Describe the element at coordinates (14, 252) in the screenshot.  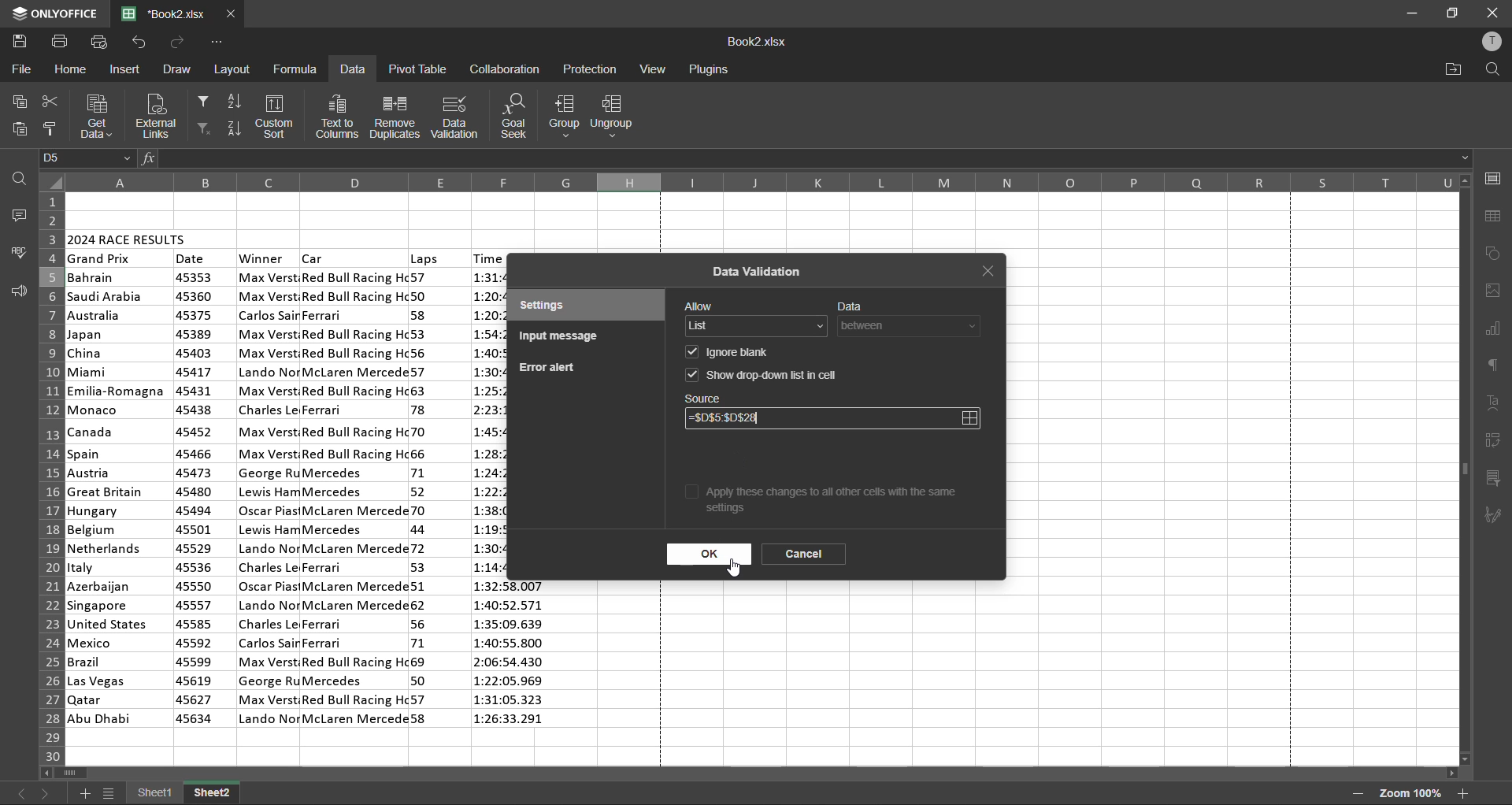
I see `spellcheck` at that location.